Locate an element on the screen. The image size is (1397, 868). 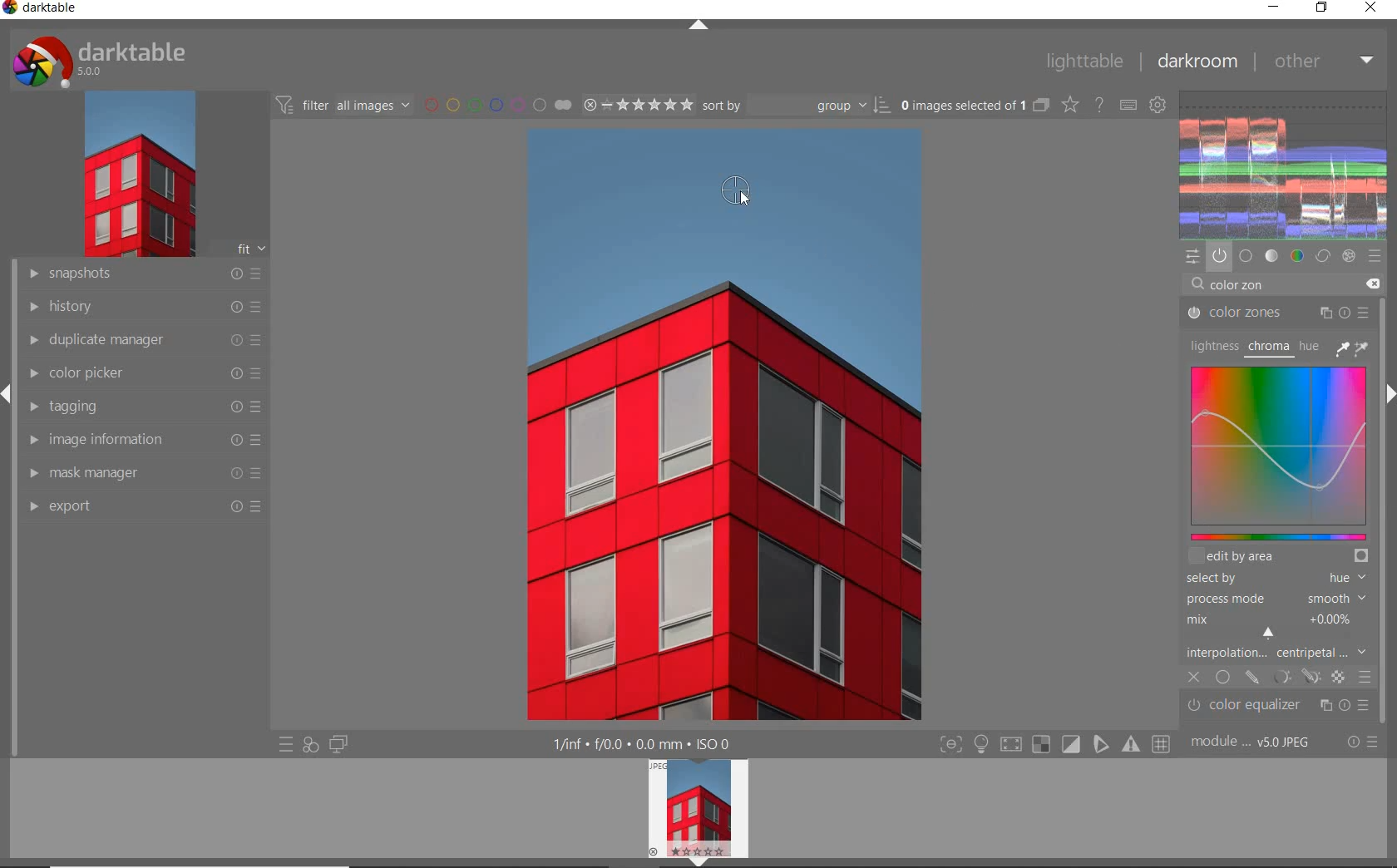
enable for online help is located at coordinates (1100, 104).